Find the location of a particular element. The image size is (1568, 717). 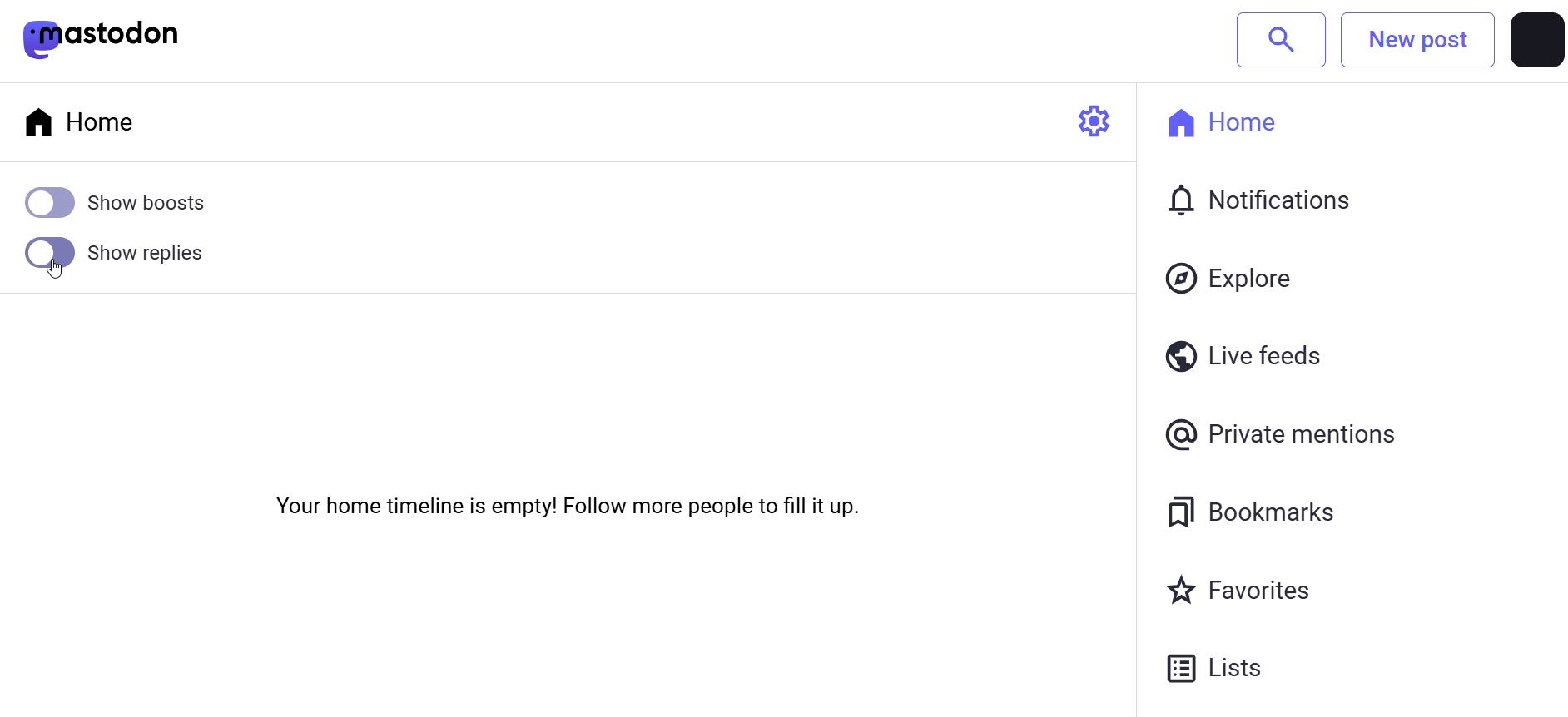

mastodon is located at coordinates (122, 37).